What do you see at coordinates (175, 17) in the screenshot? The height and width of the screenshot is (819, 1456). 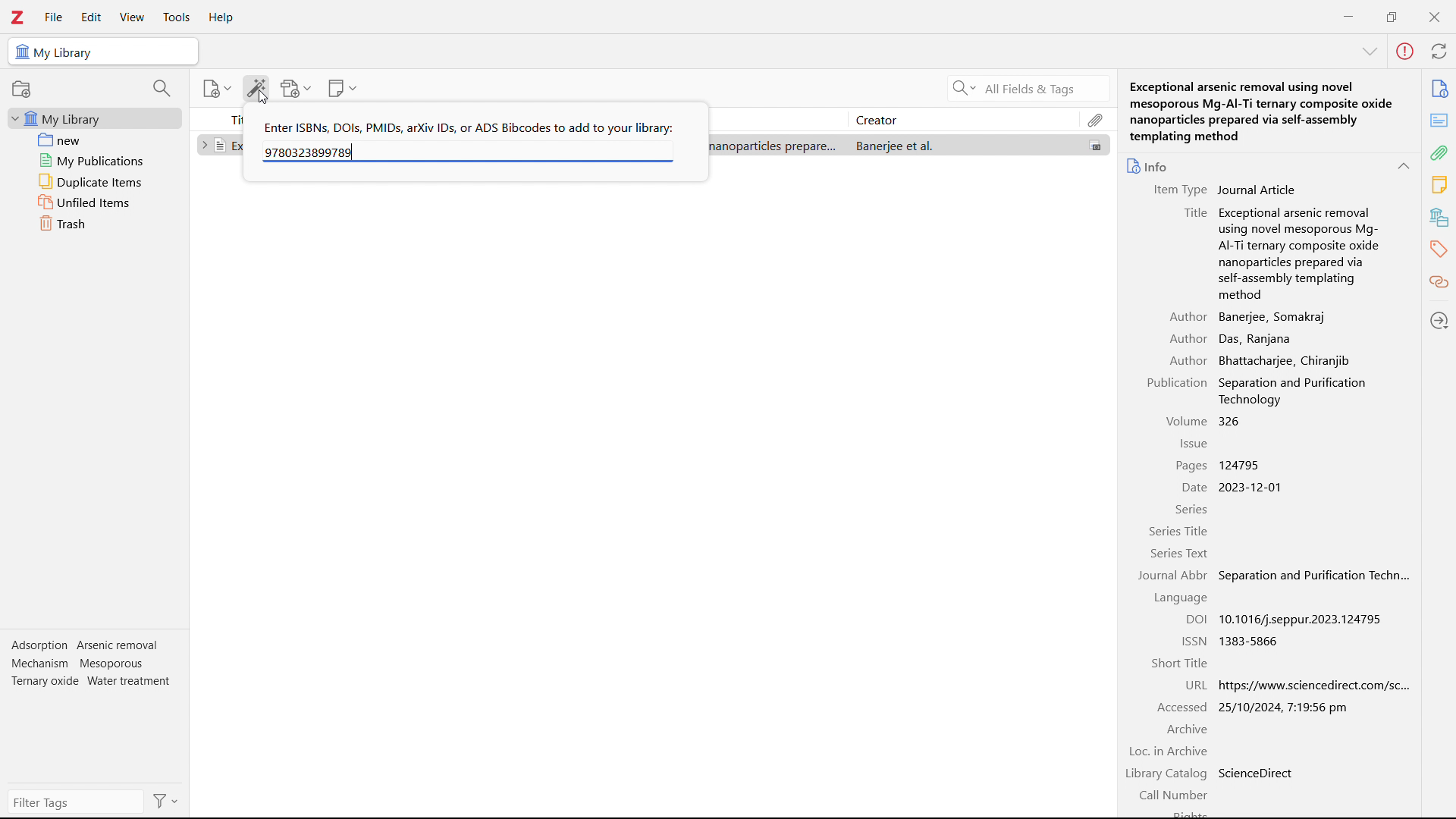 I see `tools` at bounding box center [175, 17].